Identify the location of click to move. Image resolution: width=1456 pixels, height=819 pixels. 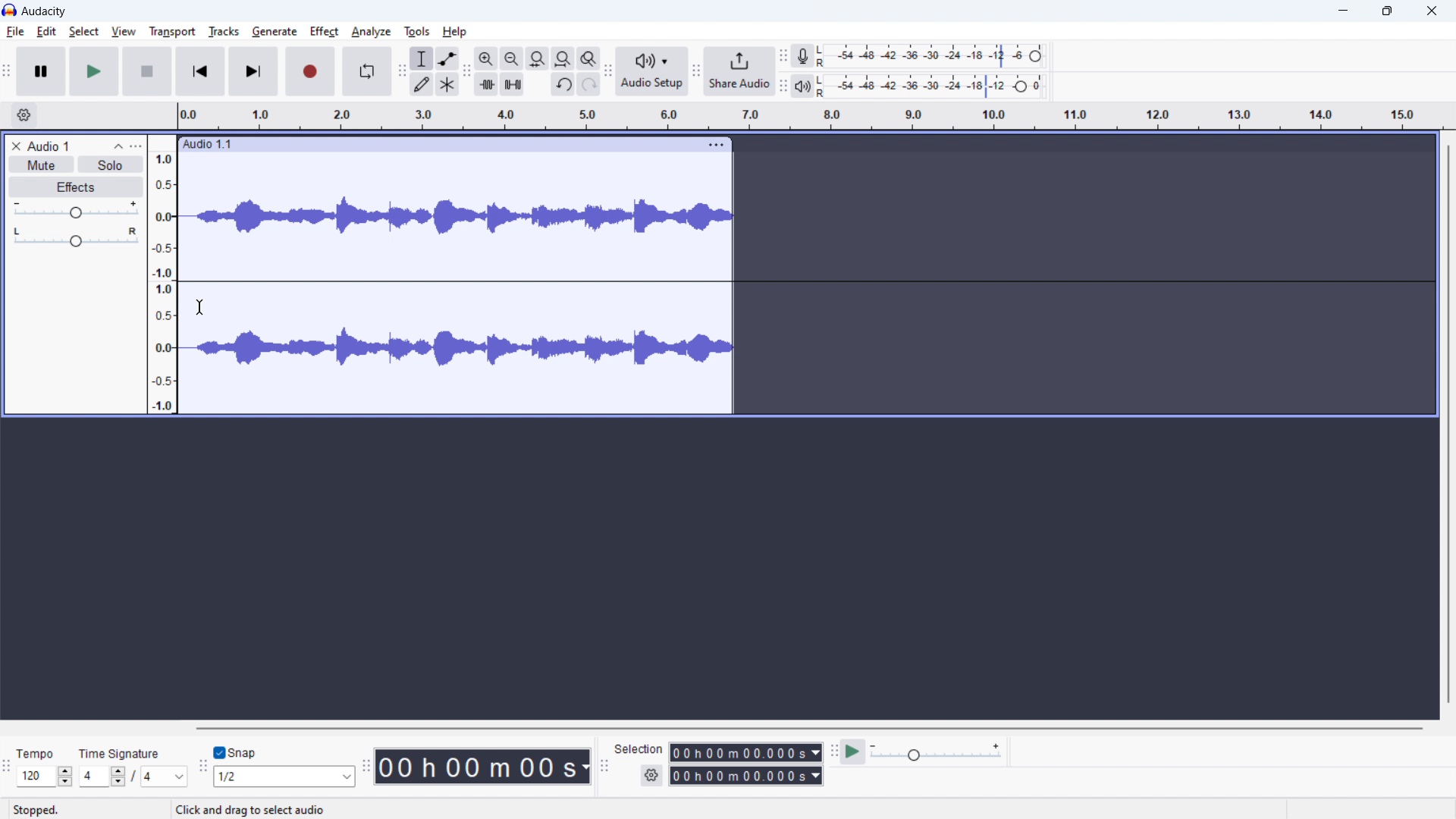
(439, 144).